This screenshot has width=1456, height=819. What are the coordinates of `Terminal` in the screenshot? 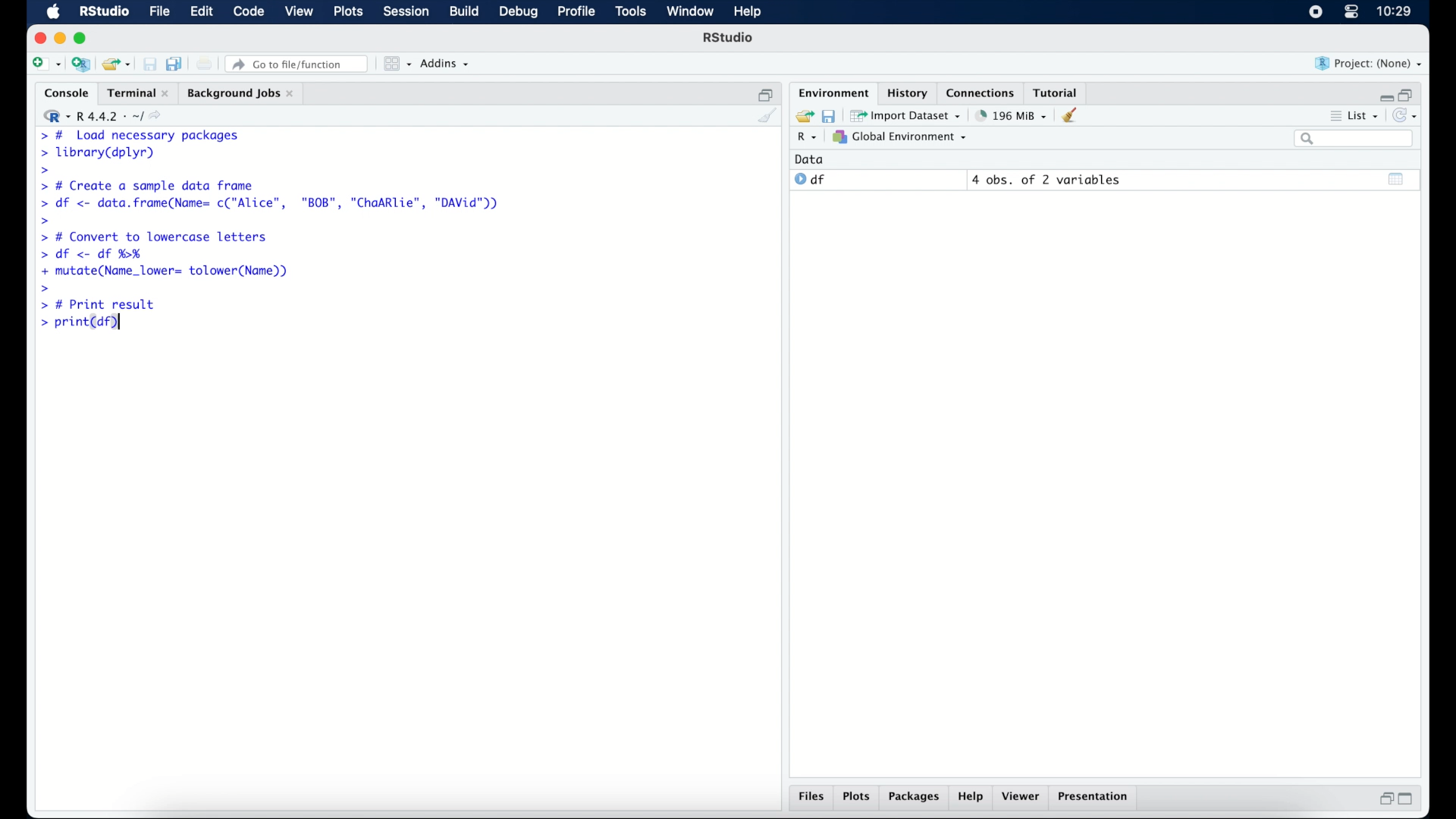 It's located at (133, 93).